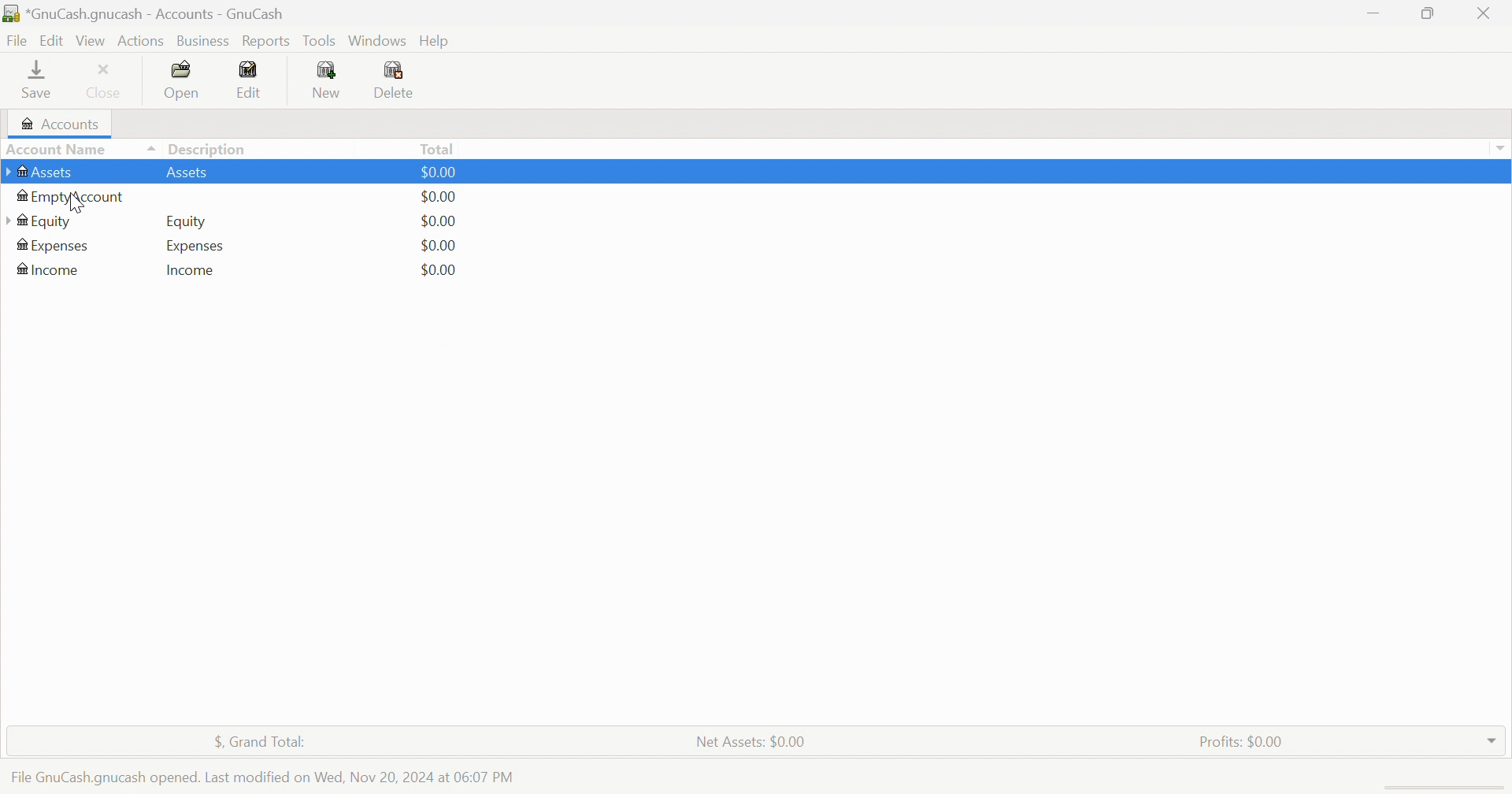  I want to click on Edit, so click(253, 80).